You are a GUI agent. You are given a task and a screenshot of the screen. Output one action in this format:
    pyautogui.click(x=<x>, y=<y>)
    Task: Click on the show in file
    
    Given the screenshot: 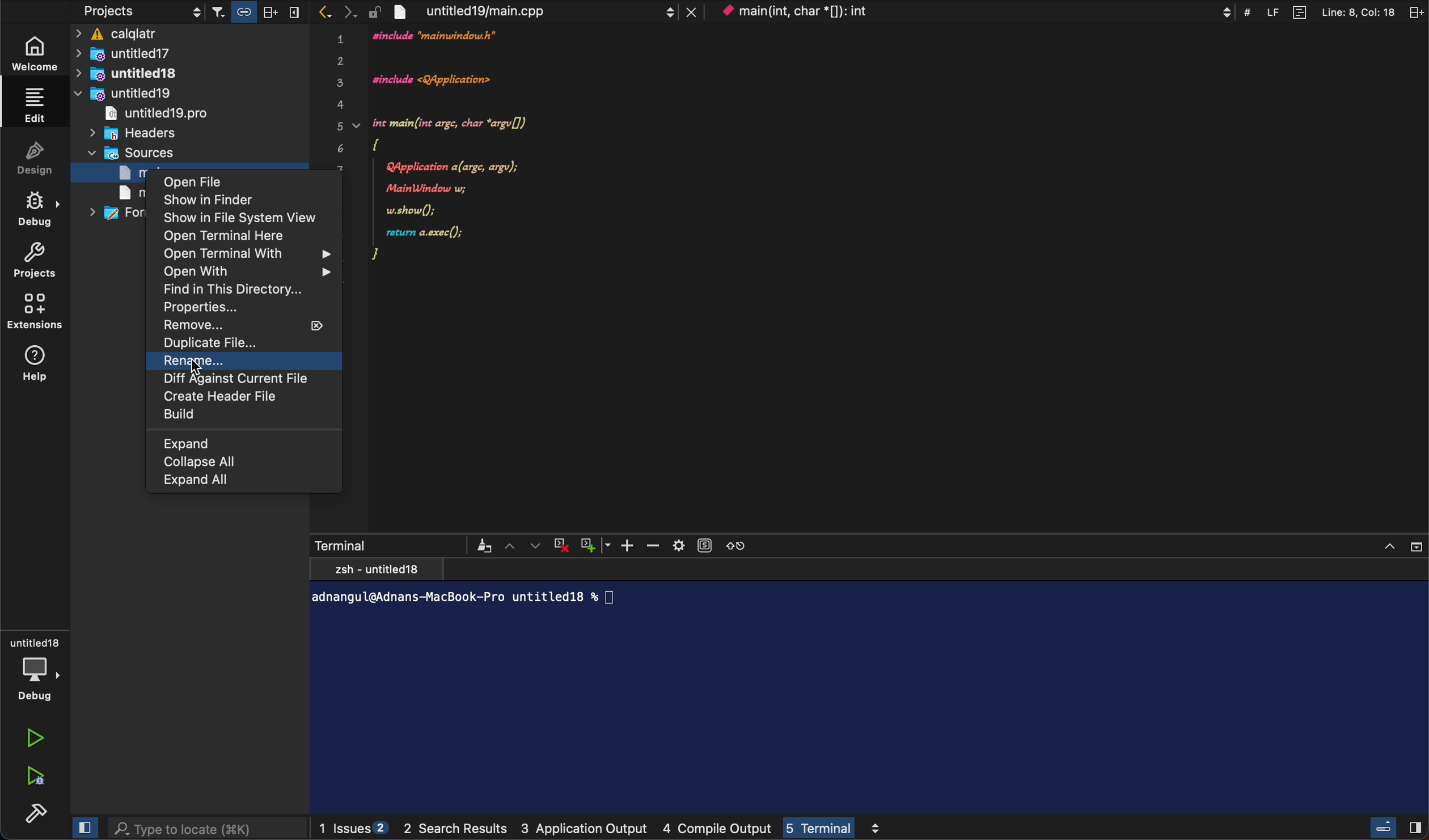 What is the action you would take?
    pyautogui.click(x=238, y=218)
    